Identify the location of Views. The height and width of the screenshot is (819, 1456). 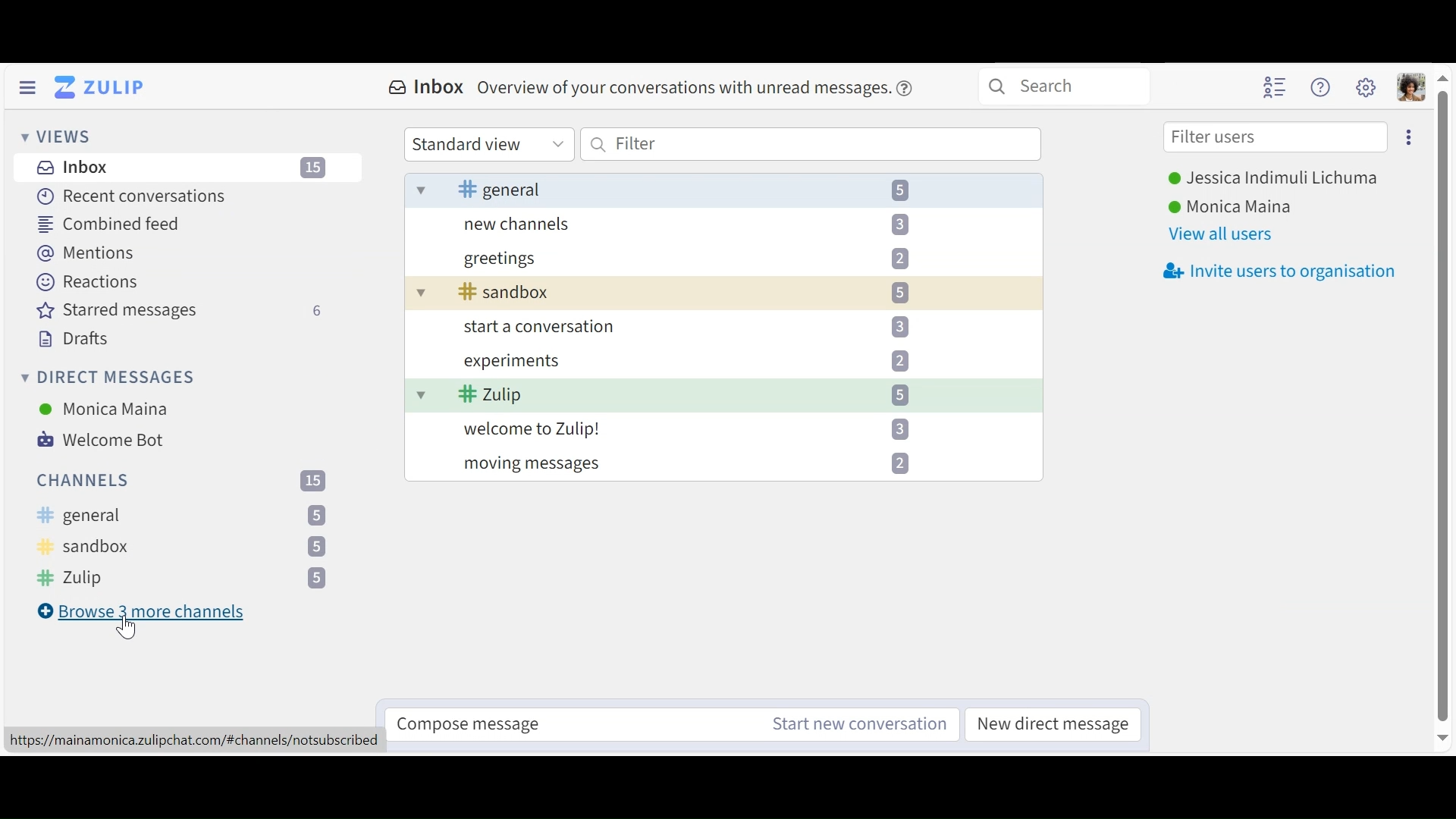
(56, 134).